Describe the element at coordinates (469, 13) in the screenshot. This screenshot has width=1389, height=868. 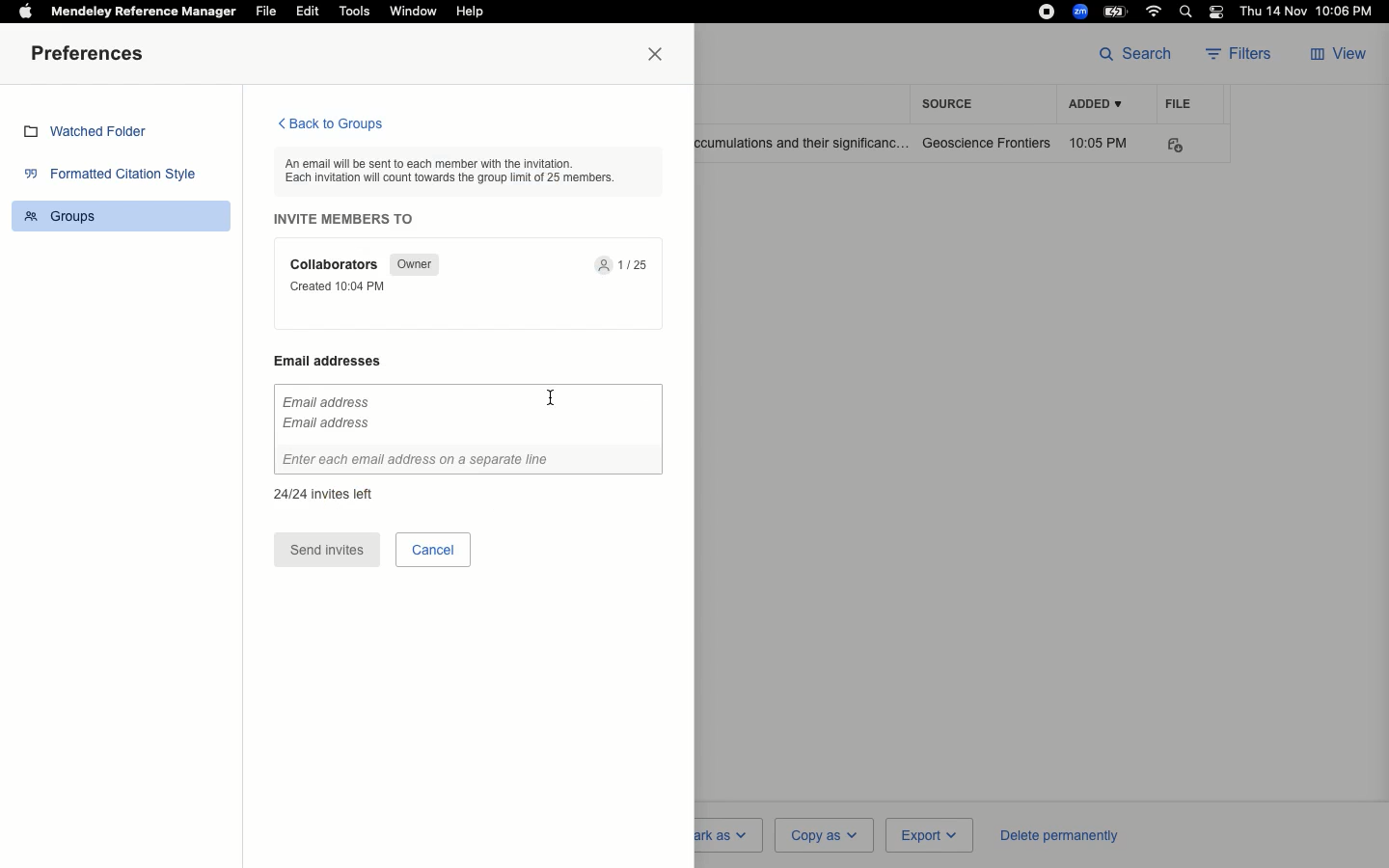
I see `Help` at that location.